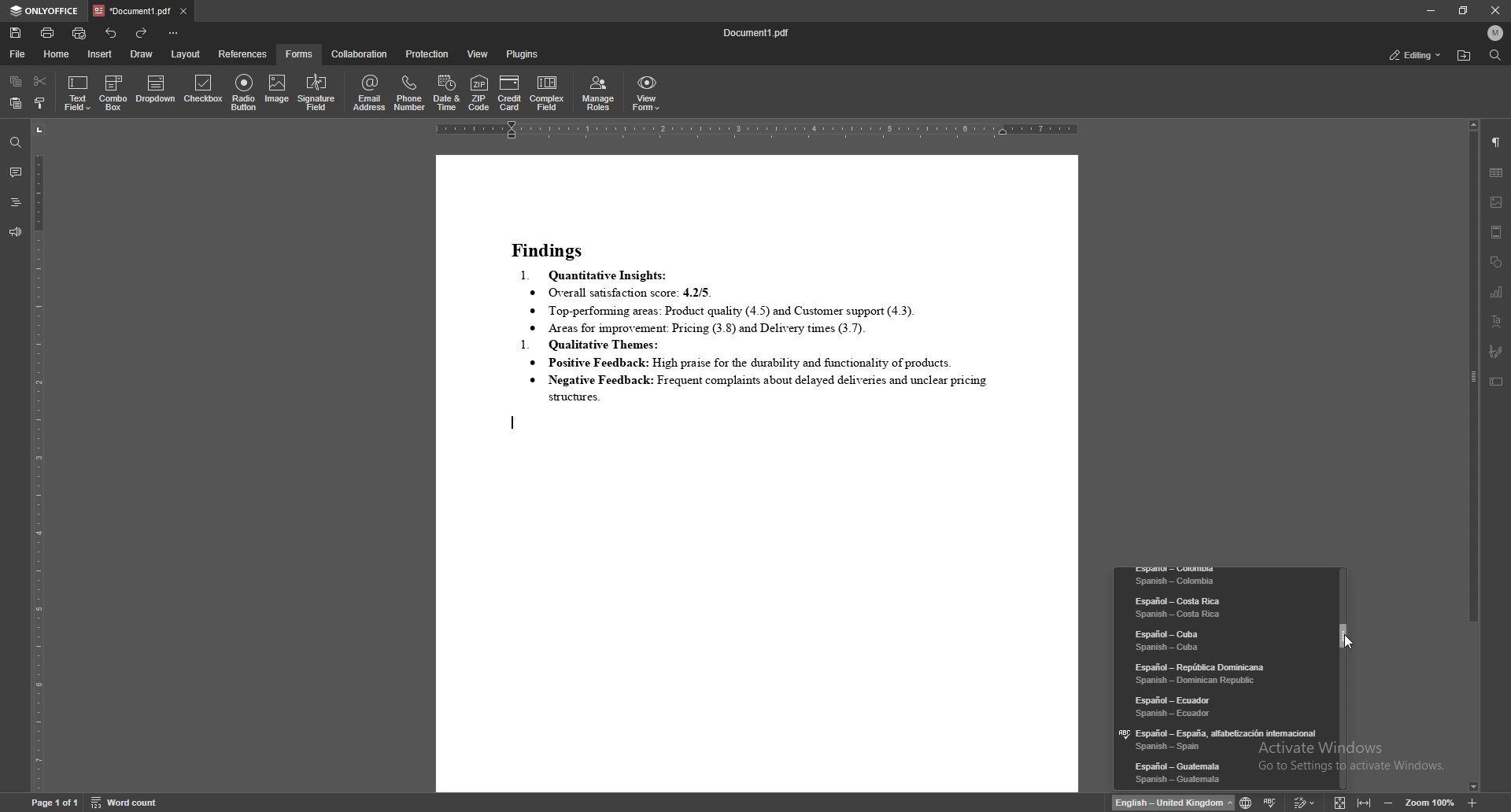  What do you see at coordinates (14, 142) in the screenshot?
I see `find` at bounding box center [14, 142].